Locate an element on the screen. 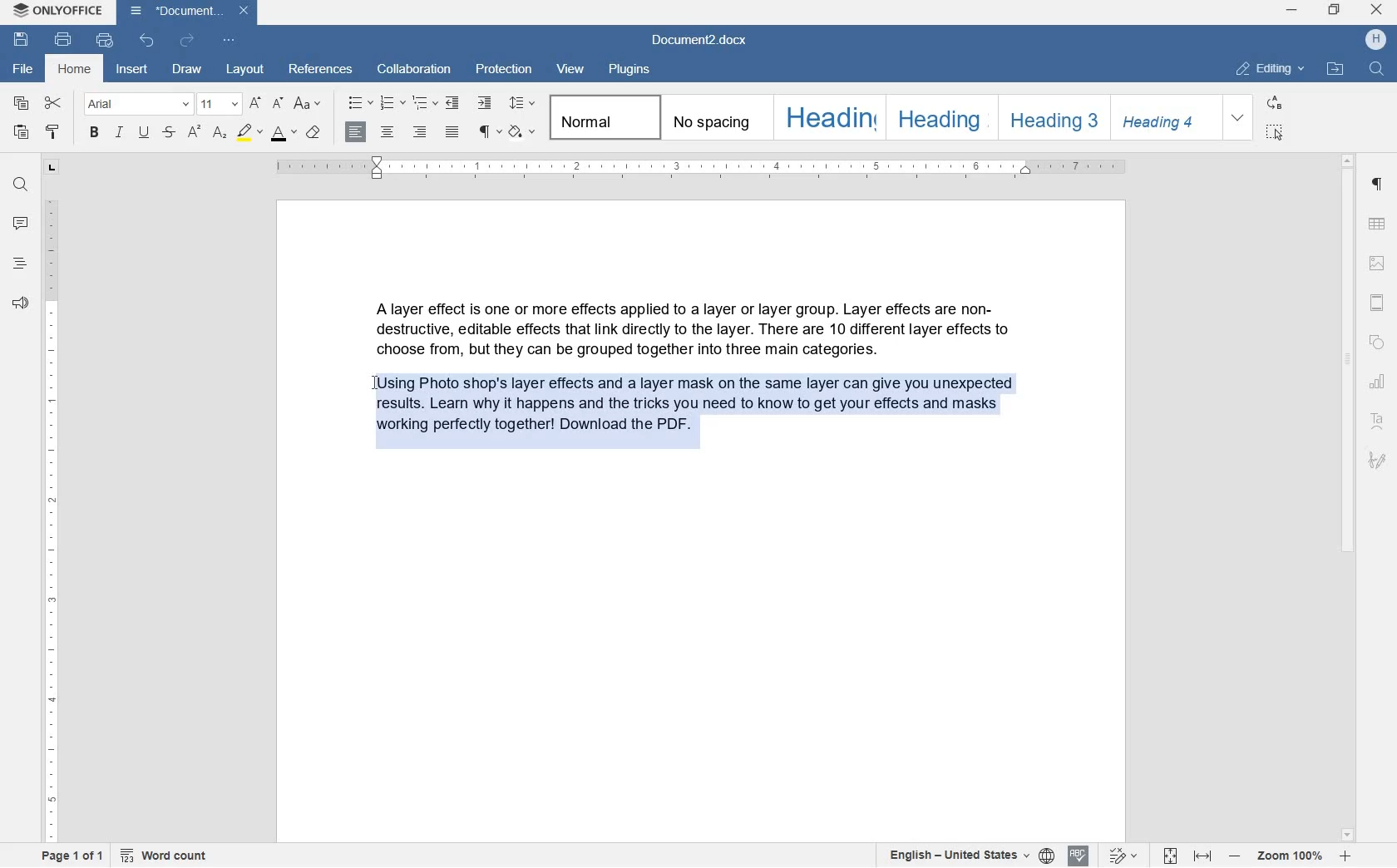  NUMBERING is located at coordinates (393, 102).